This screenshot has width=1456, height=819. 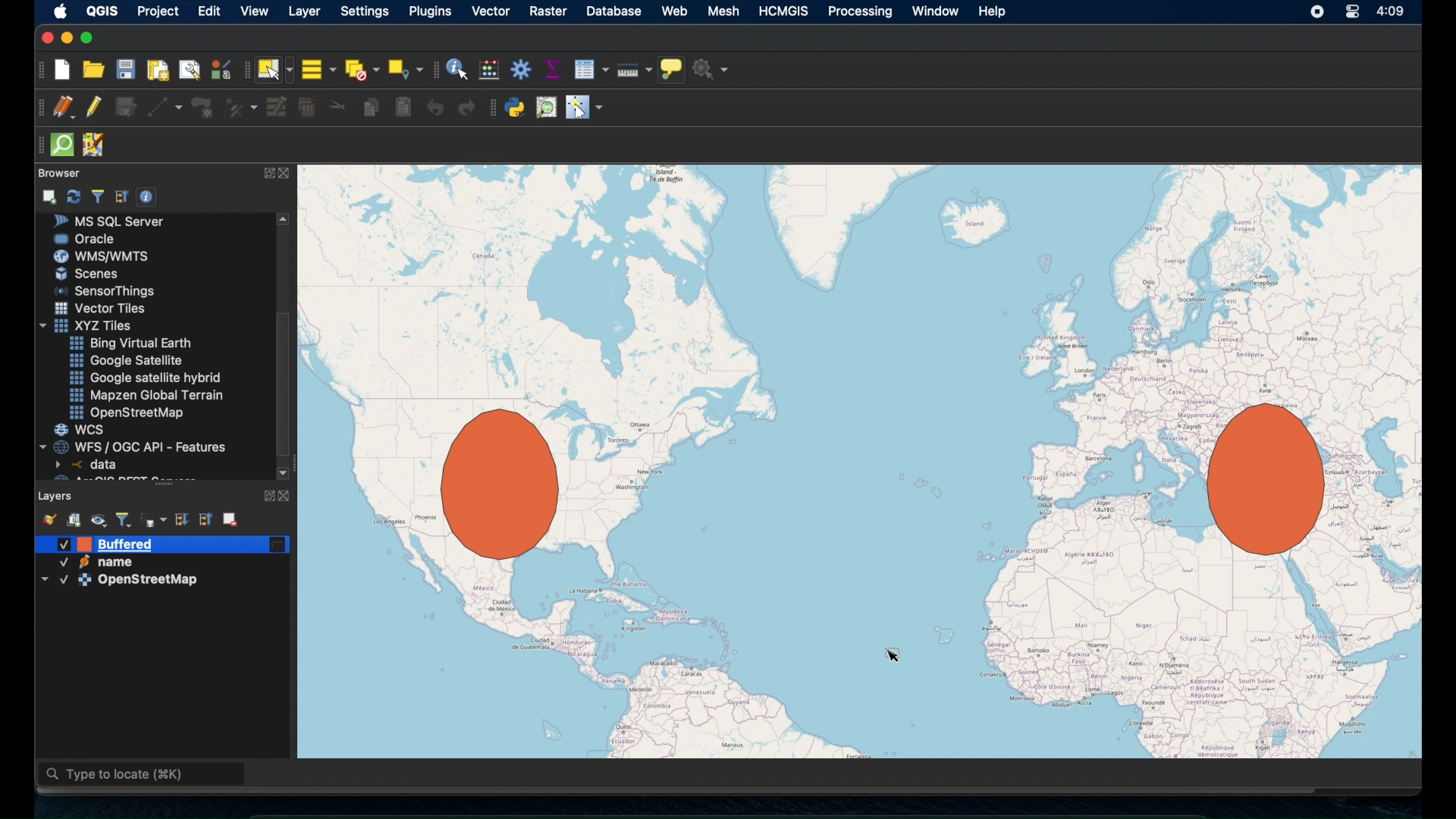 What do you see at coordinates (254, 12) in the screenshot?
I see `view` at bounding box center [254, 12].